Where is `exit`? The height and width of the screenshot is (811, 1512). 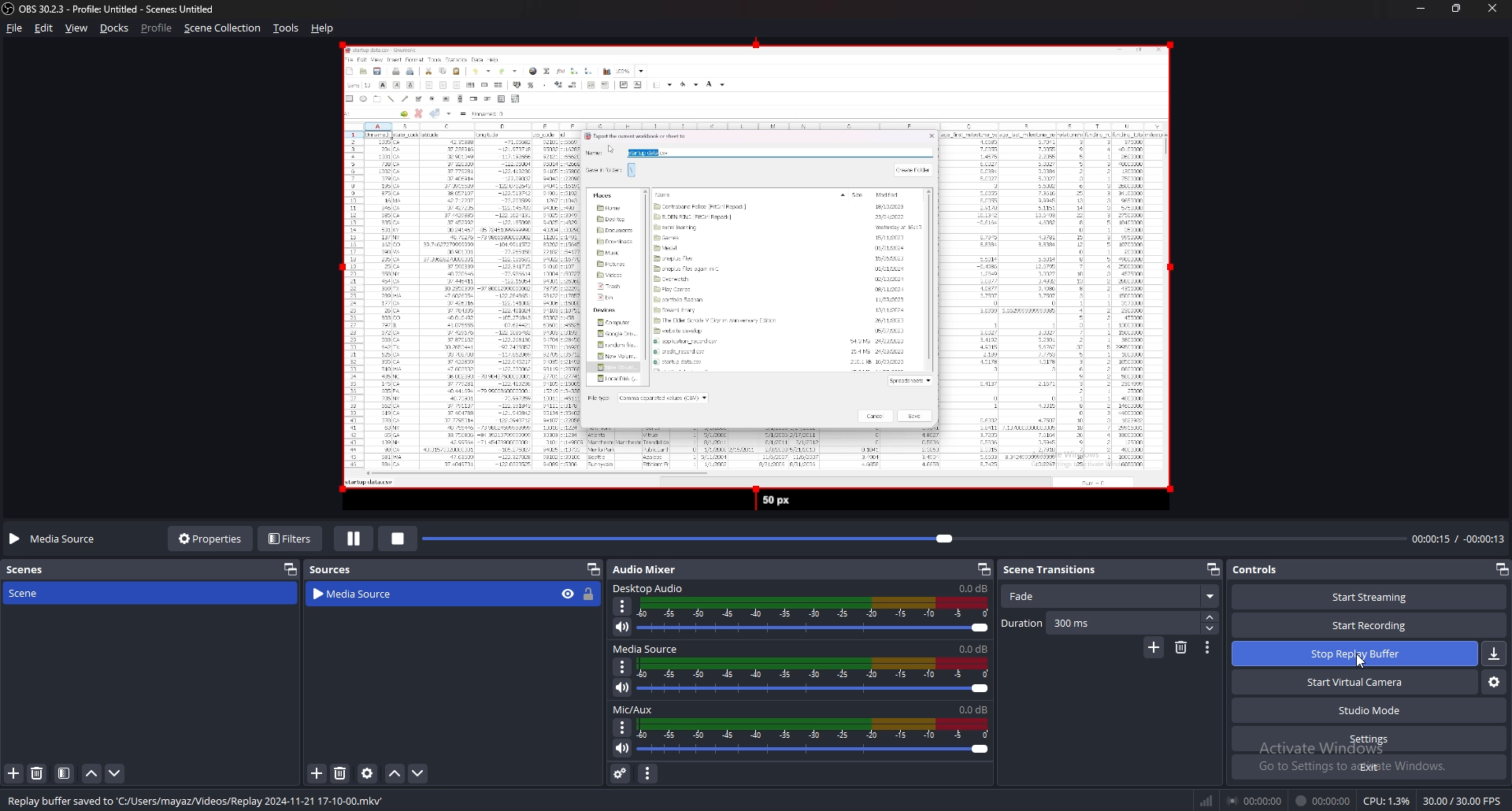
exit is located at coordinates (1368, 766).